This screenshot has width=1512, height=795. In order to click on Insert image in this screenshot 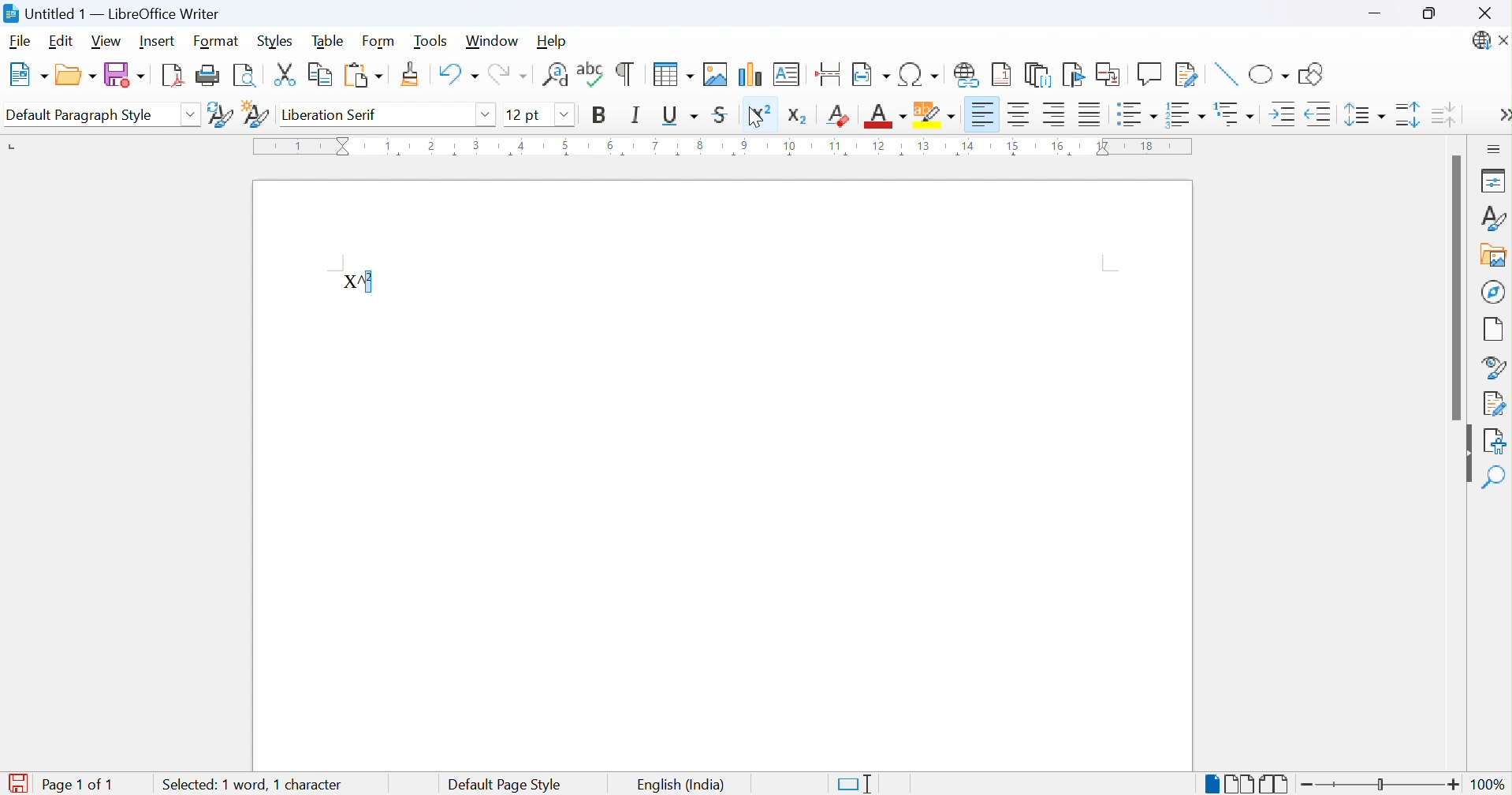, I will do `click(717, 73)`.